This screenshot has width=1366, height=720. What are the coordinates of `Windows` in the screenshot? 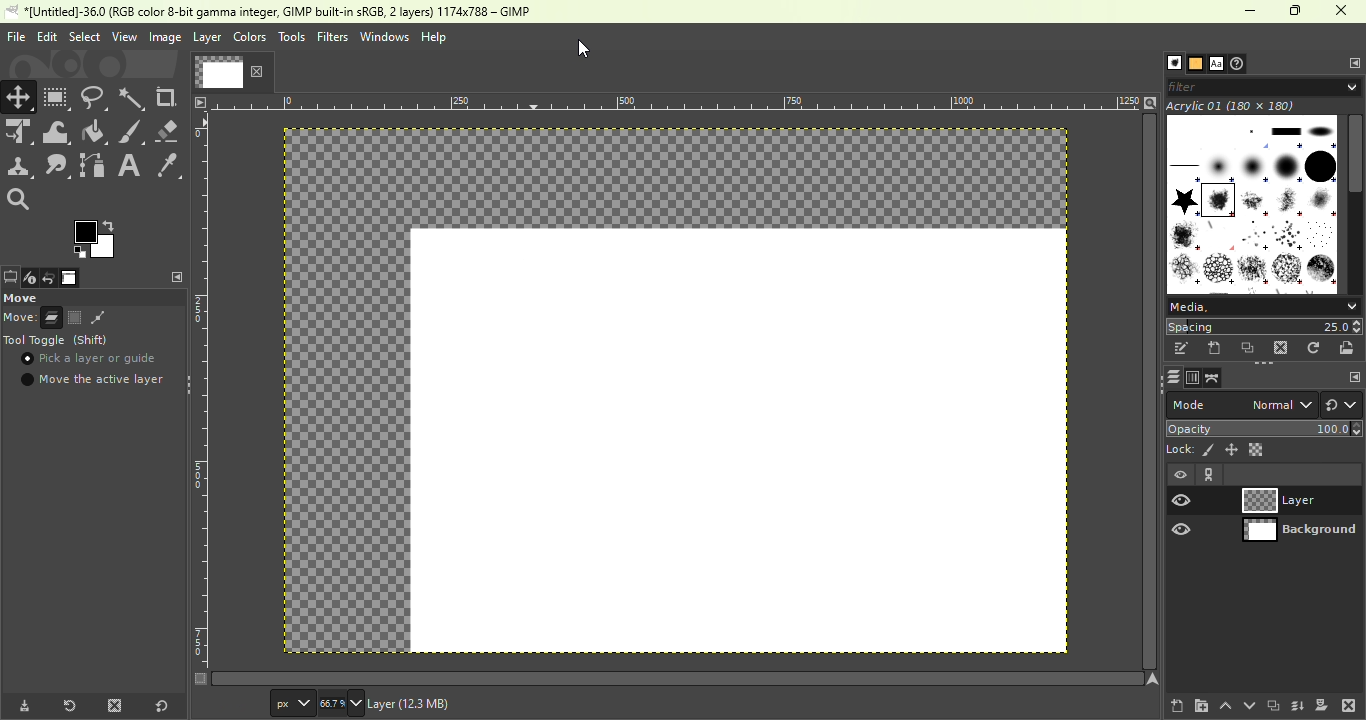 It's located at (384, 37).